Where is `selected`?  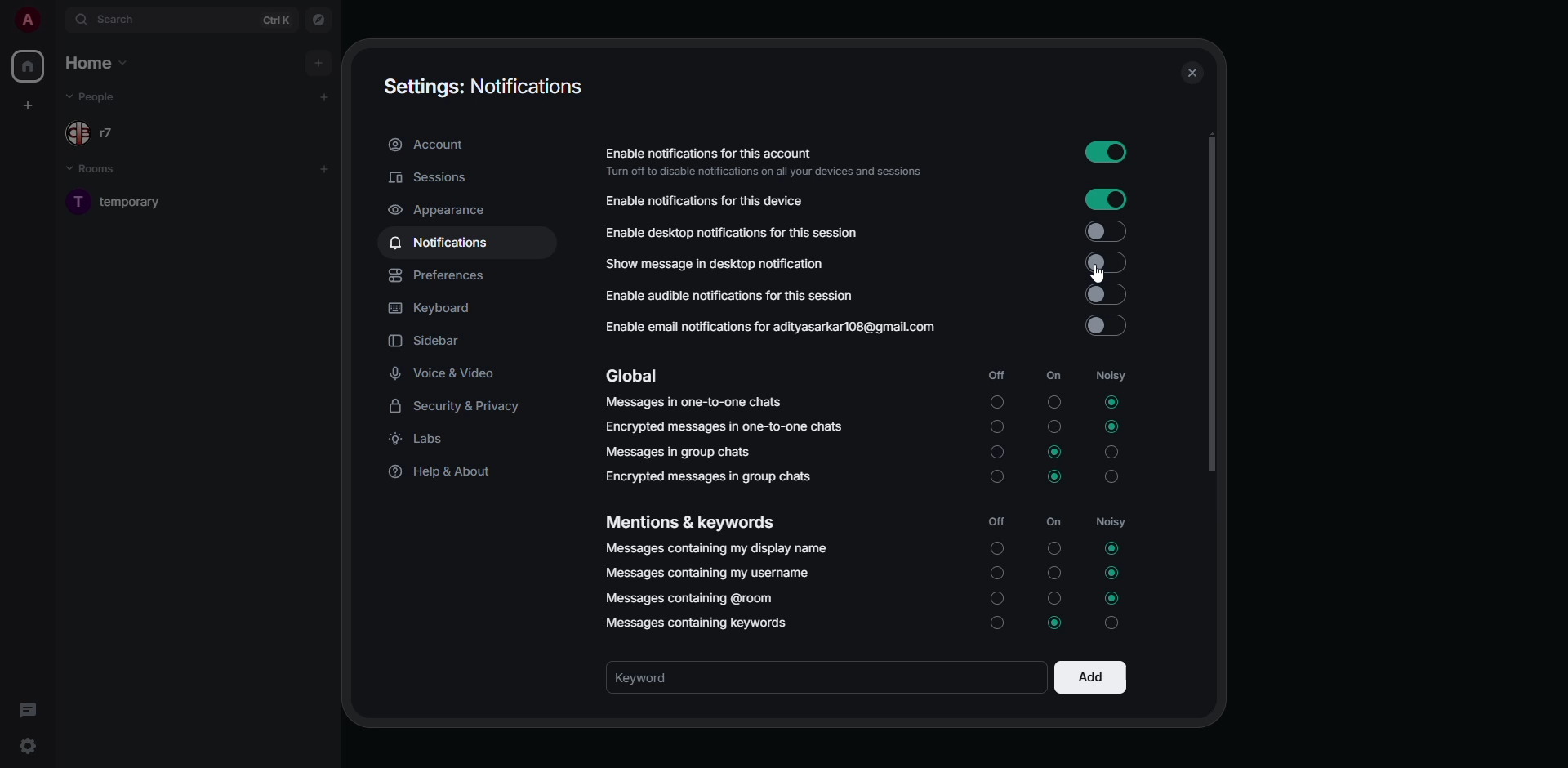
selected is located at coordinates (1112, 426).